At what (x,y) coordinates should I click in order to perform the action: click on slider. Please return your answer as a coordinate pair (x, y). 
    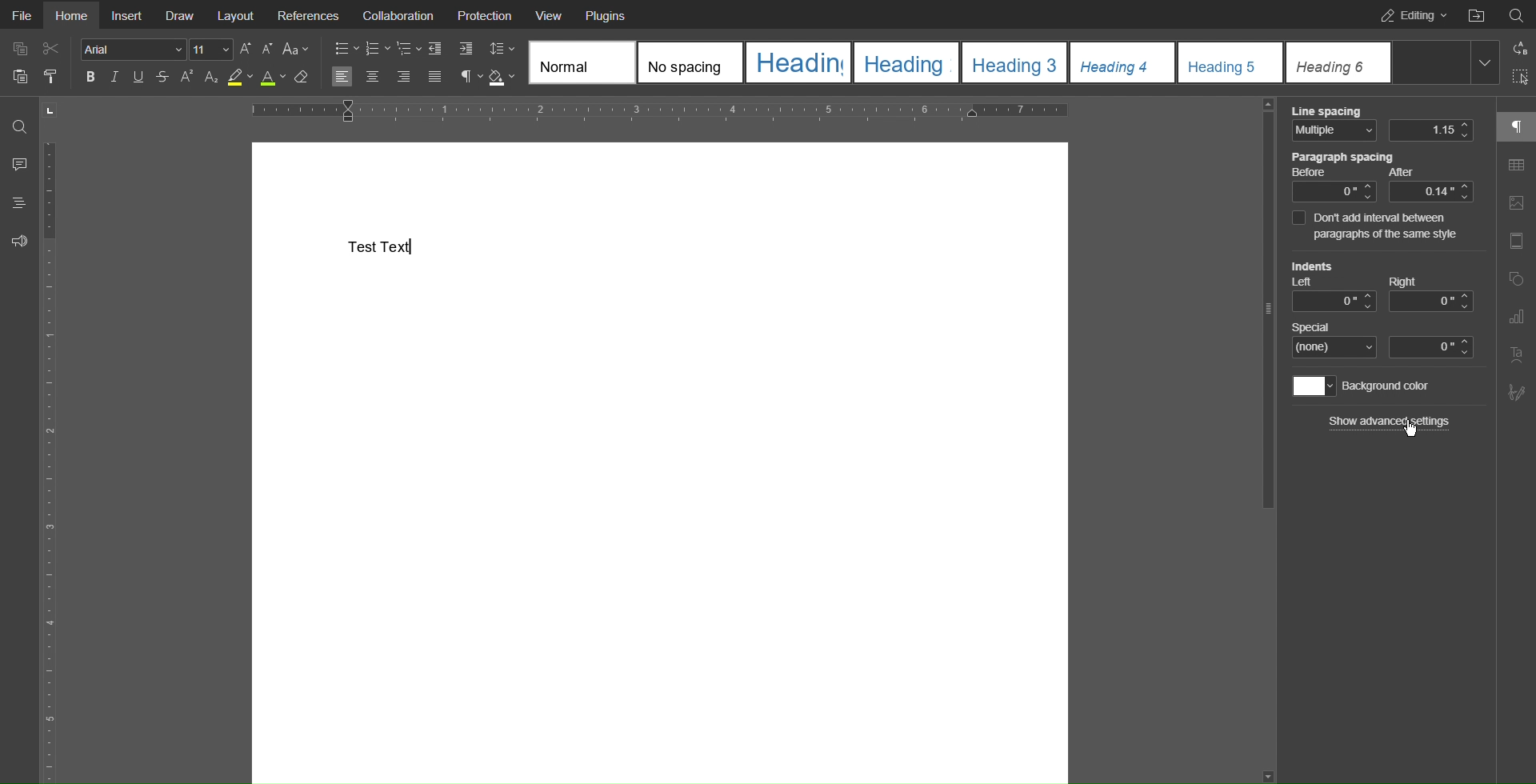
    Looking at the image, I should click on (1268, 314).